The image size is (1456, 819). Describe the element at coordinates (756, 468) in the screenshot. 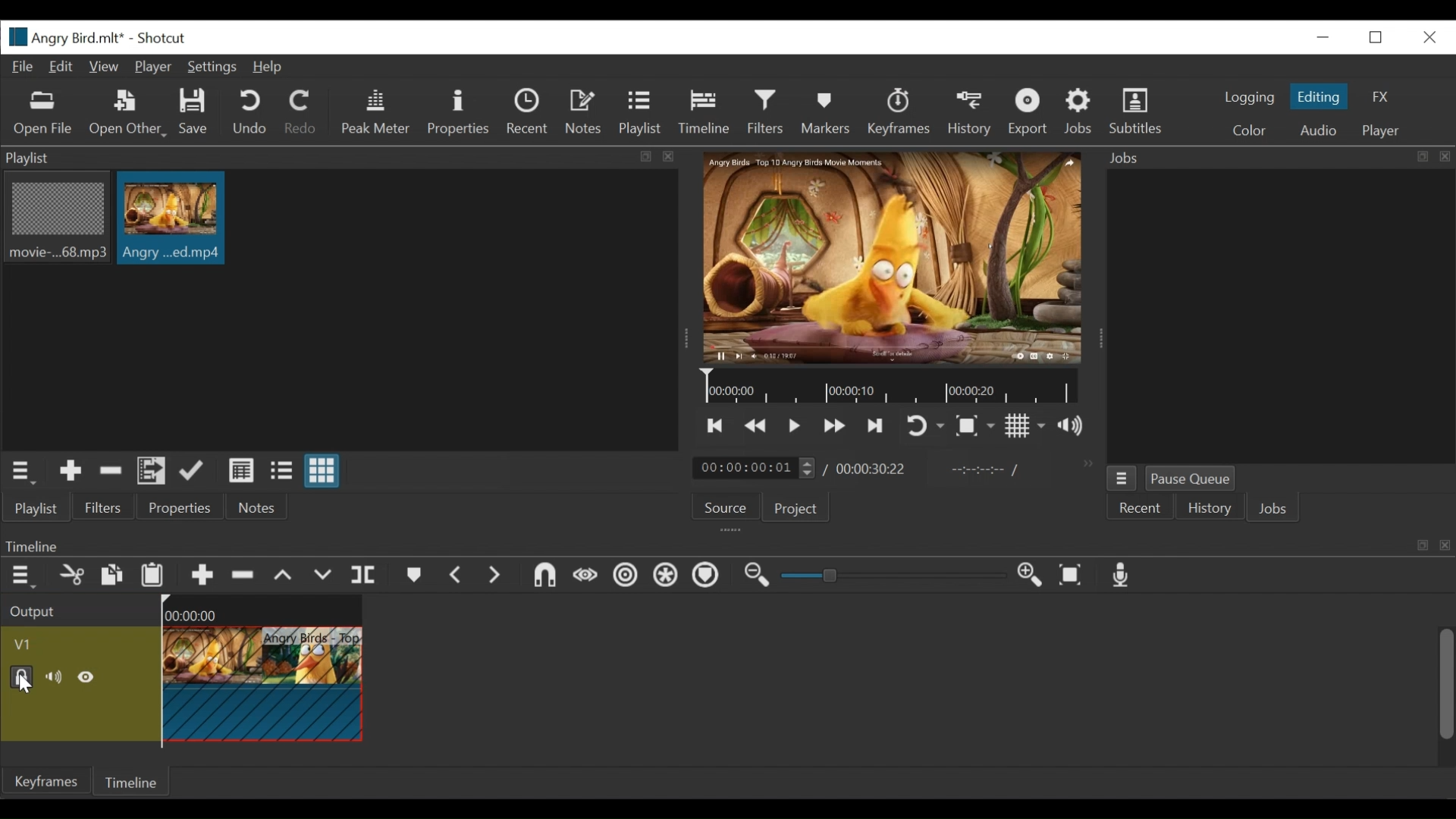

I see `Current location` at that location.